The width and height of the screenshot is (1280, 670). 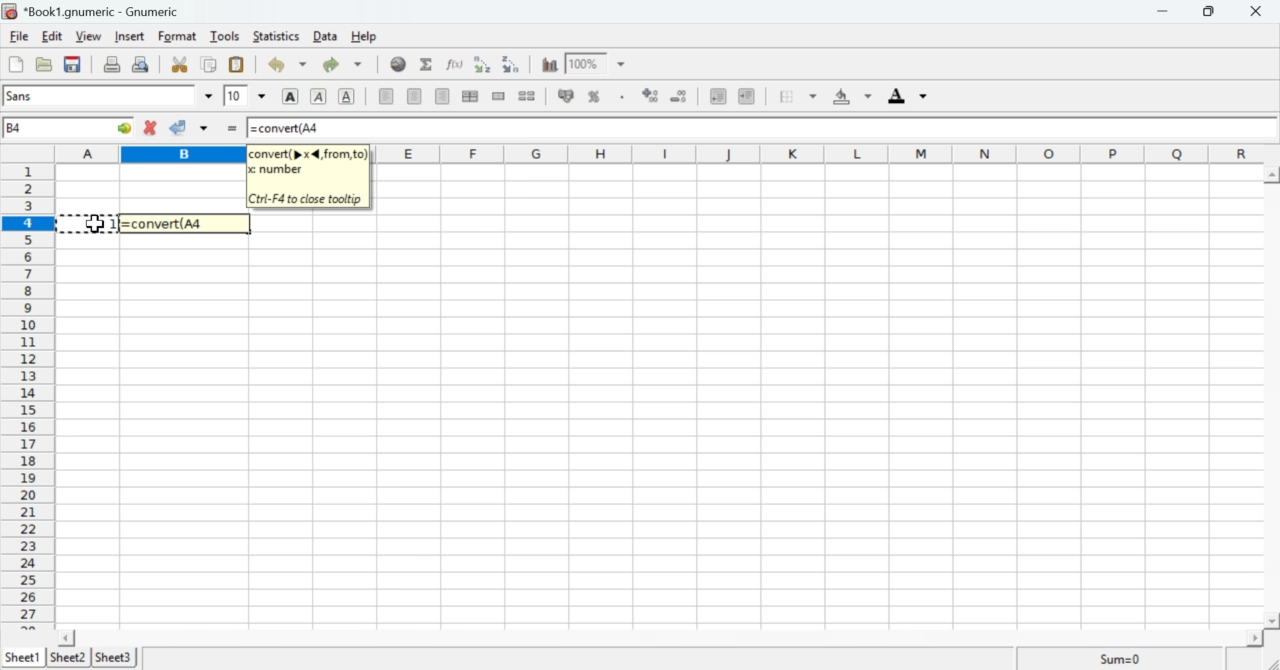 What do you see at coordinates (398, 64) in the screenshot?
I see `Insert Hyperlink` at bounding box center [398, 64].